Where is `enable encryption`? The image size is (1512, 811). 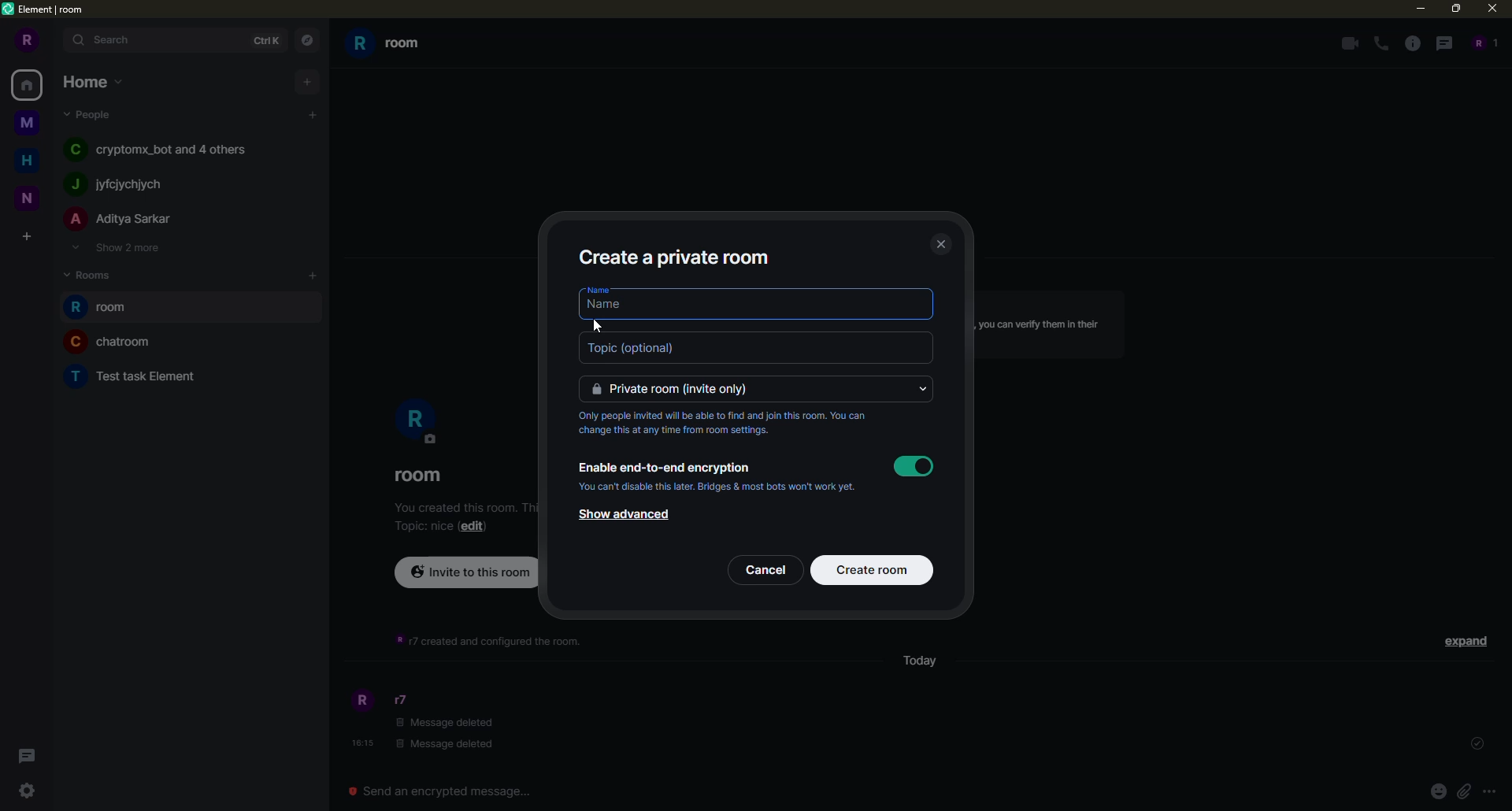 enable encryption is located at coordinates (668, 465).